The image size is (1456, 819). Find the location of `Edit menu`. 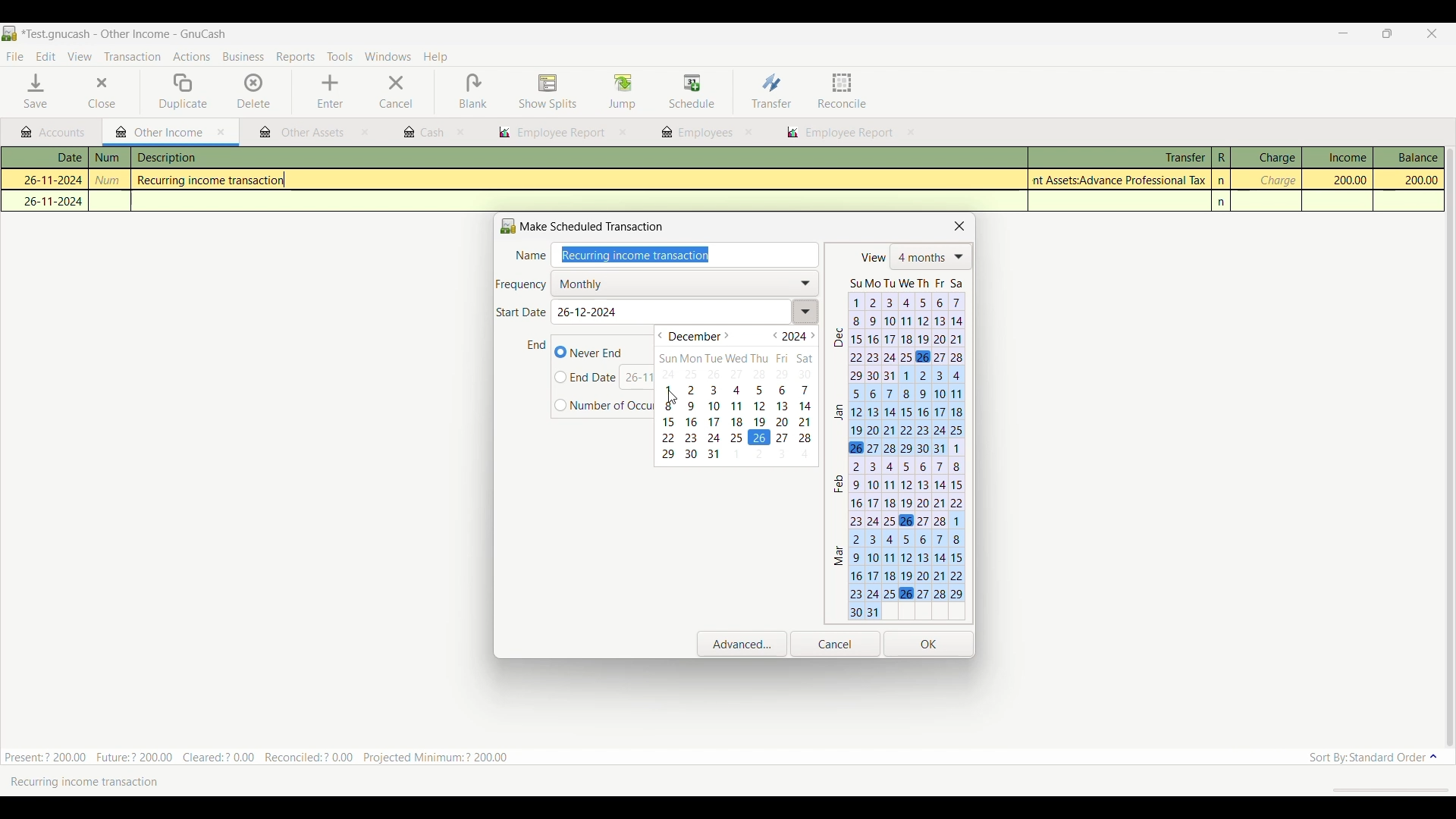

Edit menu is located at coordinates (45, 57).